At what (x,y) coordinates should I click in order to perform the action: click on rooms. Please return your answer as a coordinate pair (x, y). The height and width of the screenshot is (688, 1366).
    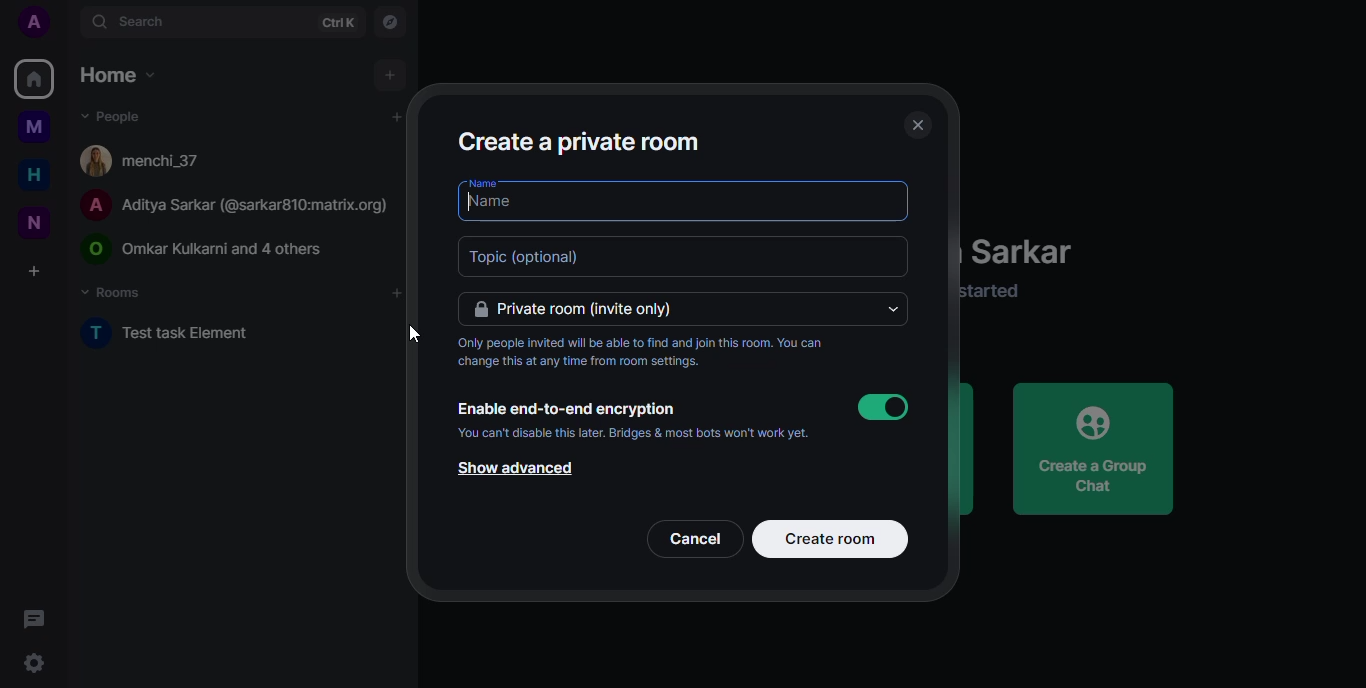
    Looking at the image, I should click on (115, 291).